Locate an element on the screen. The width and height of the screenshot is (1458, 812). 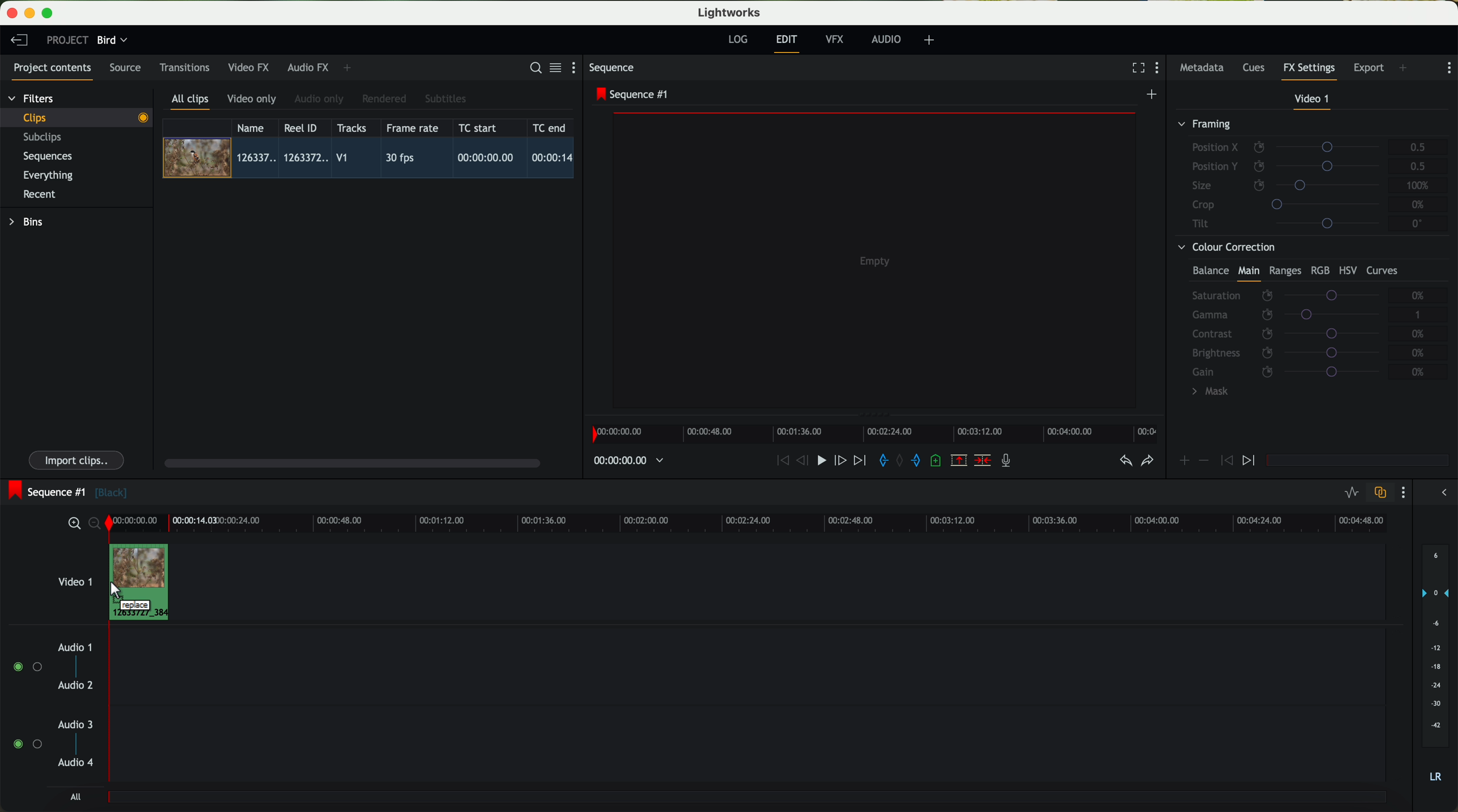
log is located at coordinates (737, 40).